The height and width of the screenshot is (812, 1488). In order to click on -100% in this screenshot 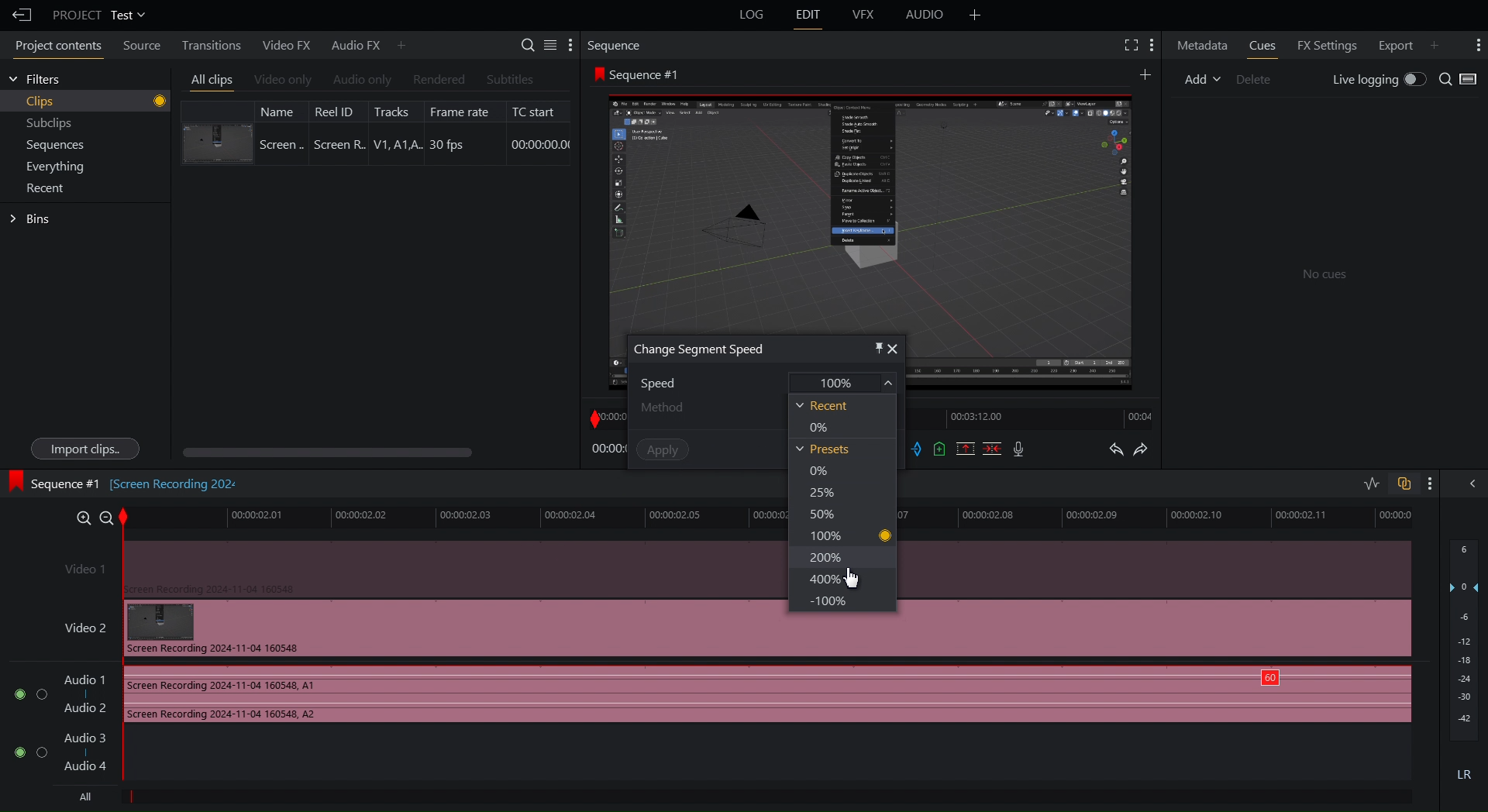, I will do `click(824, 599)`.